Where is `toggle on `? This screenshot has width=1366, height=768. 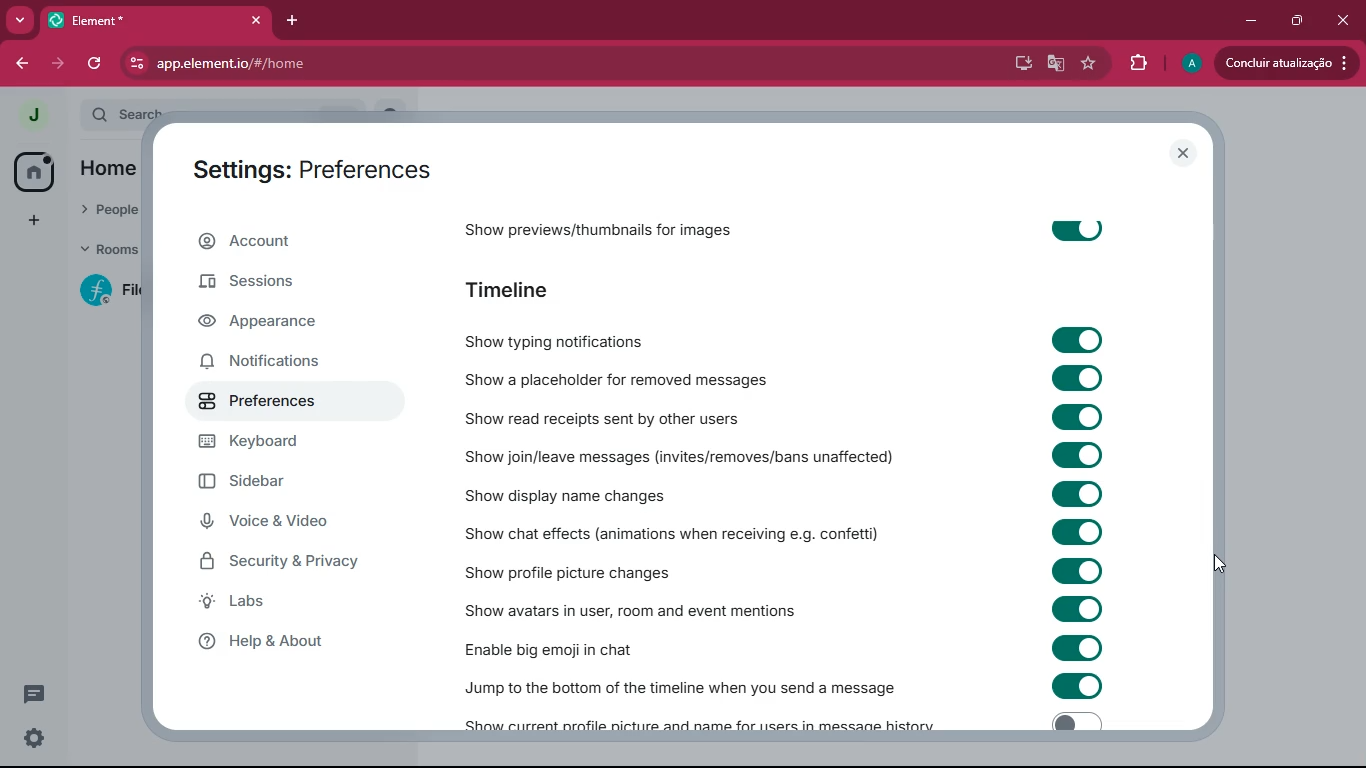 toggle on  is located at coordinates (1077, 533).